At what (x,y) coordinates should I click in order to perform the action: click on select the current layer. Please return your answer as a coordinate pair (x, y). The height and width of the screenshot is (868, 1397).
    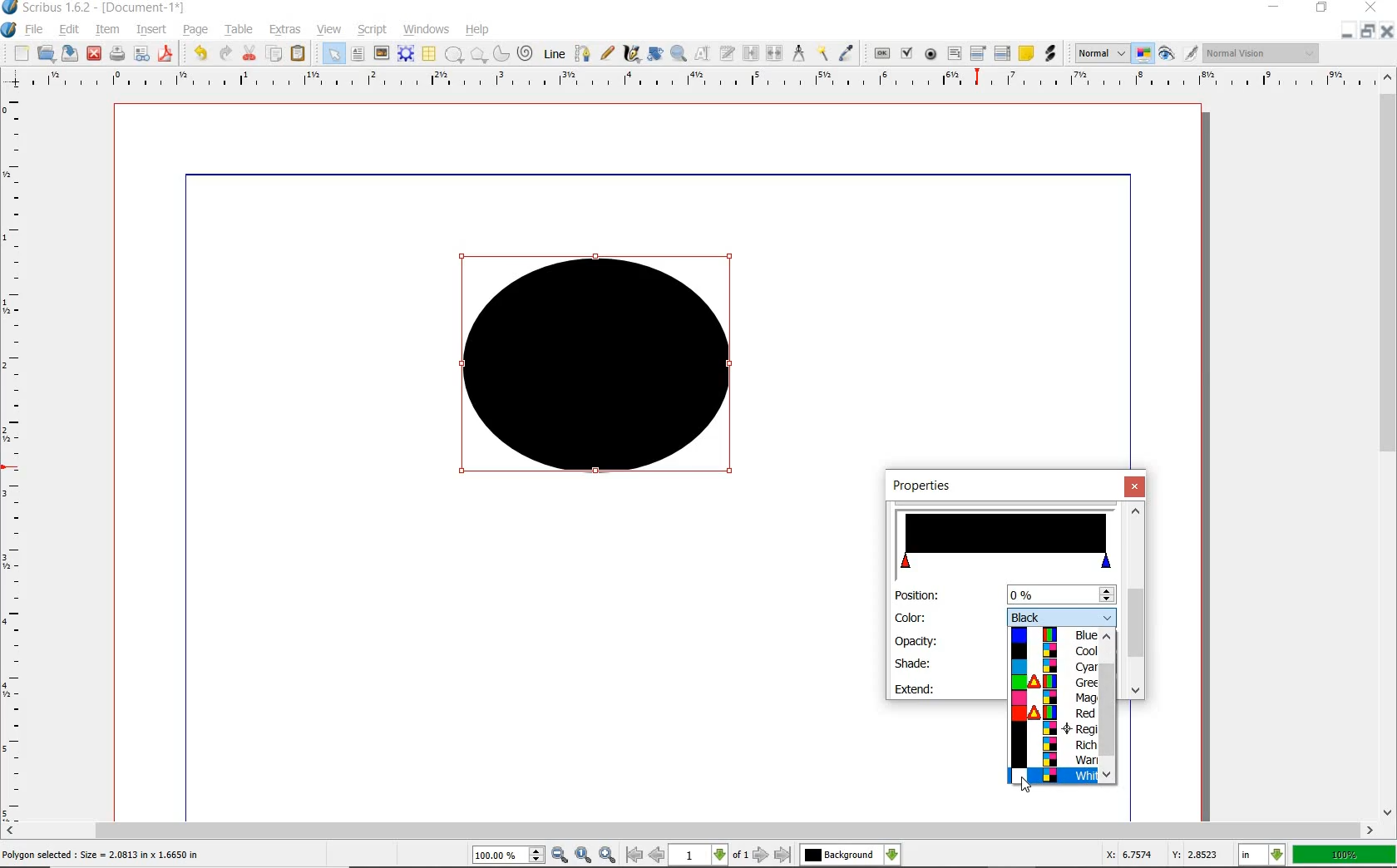
    Looking at the image, I should click on (892, 855).